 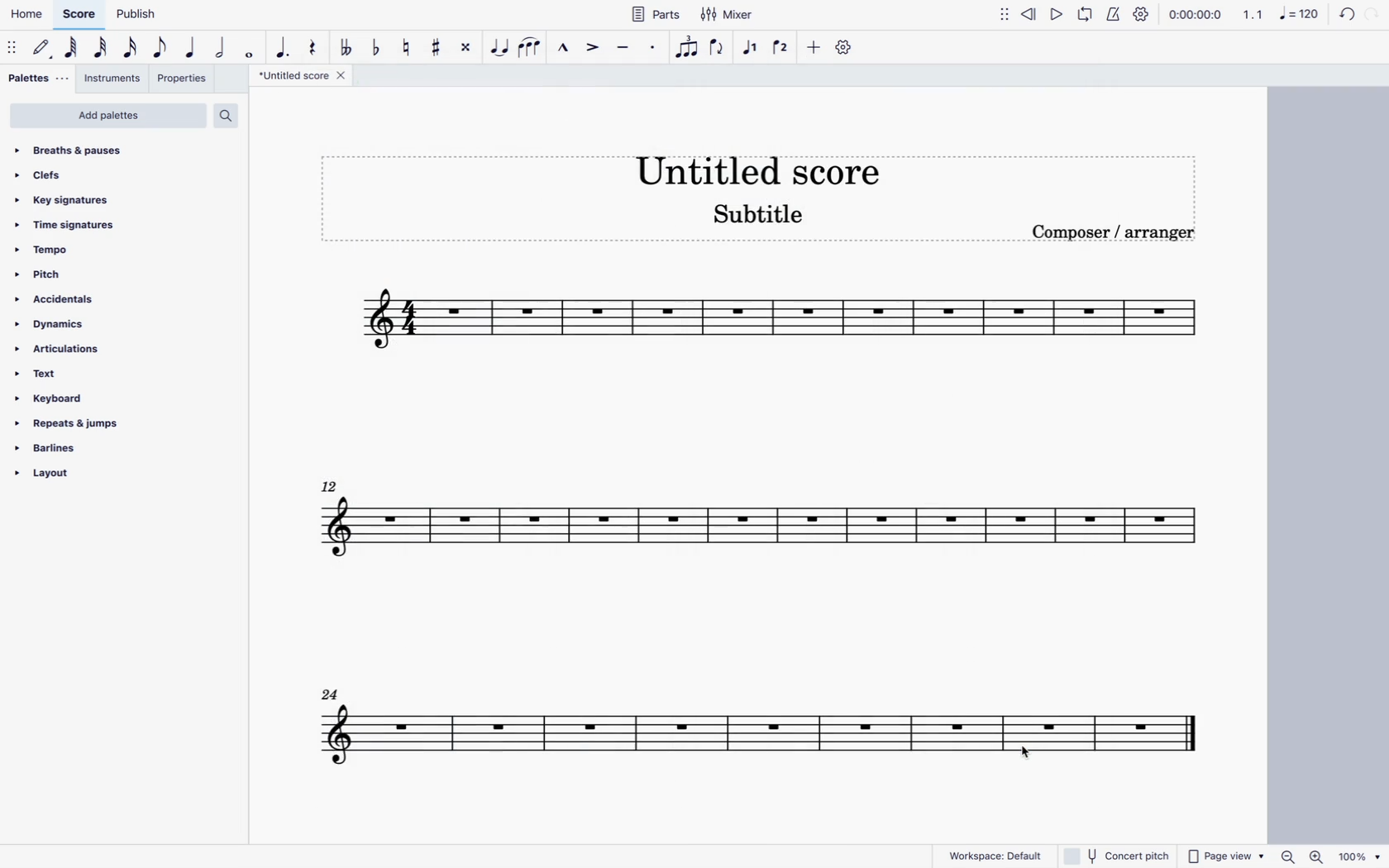 What do you see at coordinates (758, 166) in the screenshot?
I see `score title` at bounding box center [758, 166].